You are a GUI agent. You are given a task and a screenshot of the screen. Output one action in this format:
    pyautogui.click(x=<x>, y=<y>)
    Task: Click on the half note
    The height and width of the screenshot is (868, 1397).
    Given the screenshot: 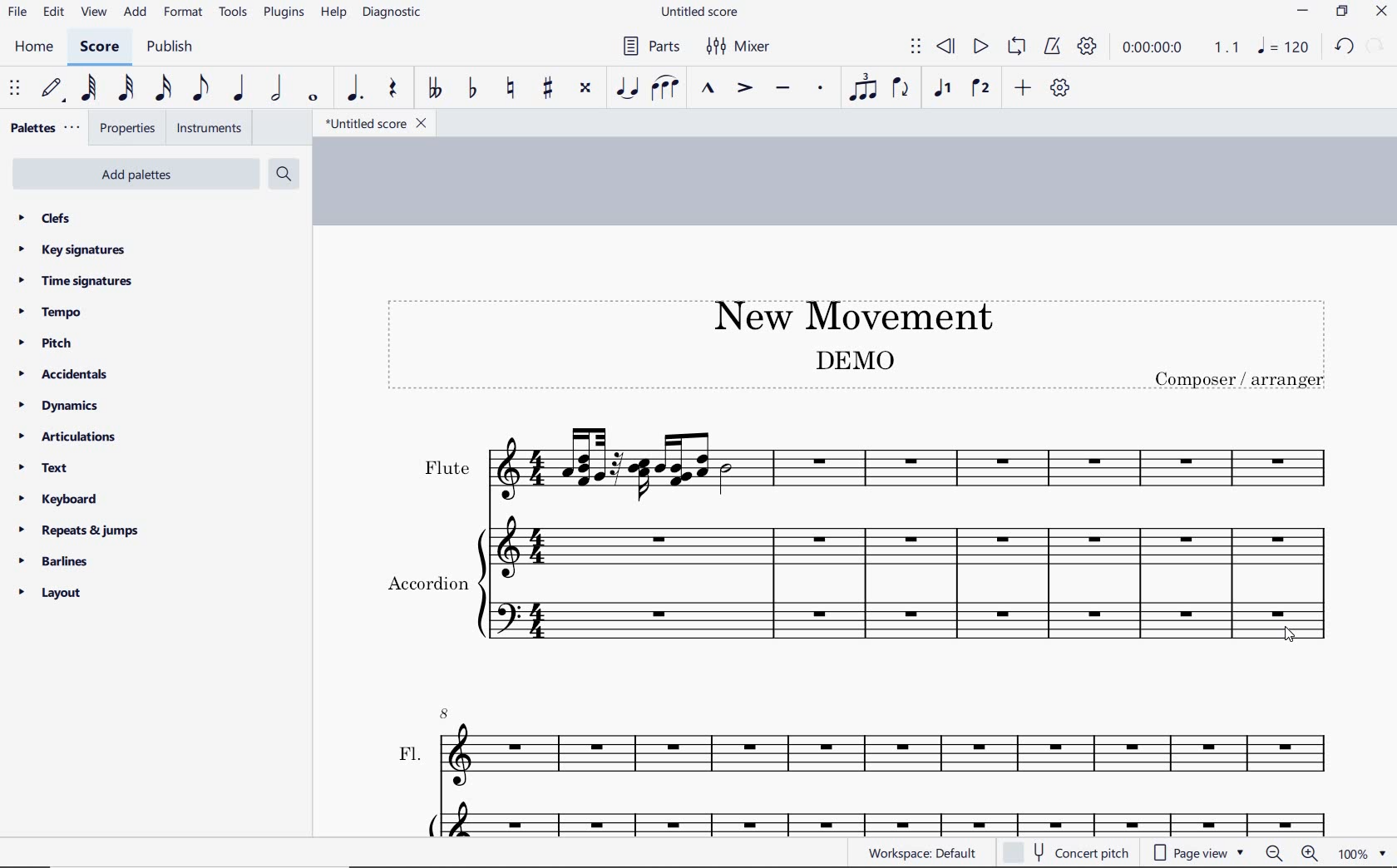 What is the action you would take?
    pyautogui.click(x=276, y=89)
    